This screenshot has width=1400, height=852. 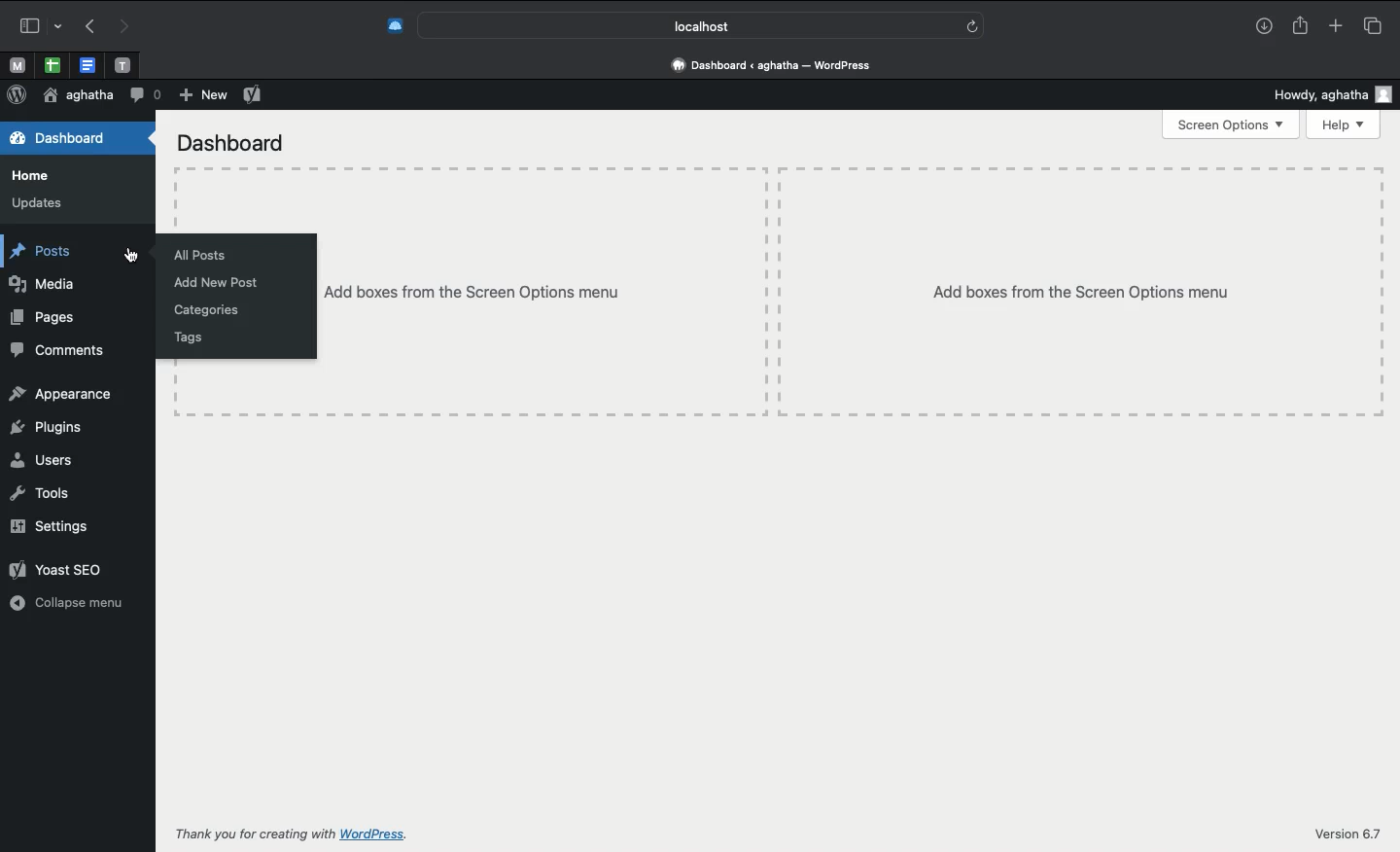 What do you see at coordinates (17, 94) in the screenshot?
I see `Wordpress` at bounding box center [17, 94].